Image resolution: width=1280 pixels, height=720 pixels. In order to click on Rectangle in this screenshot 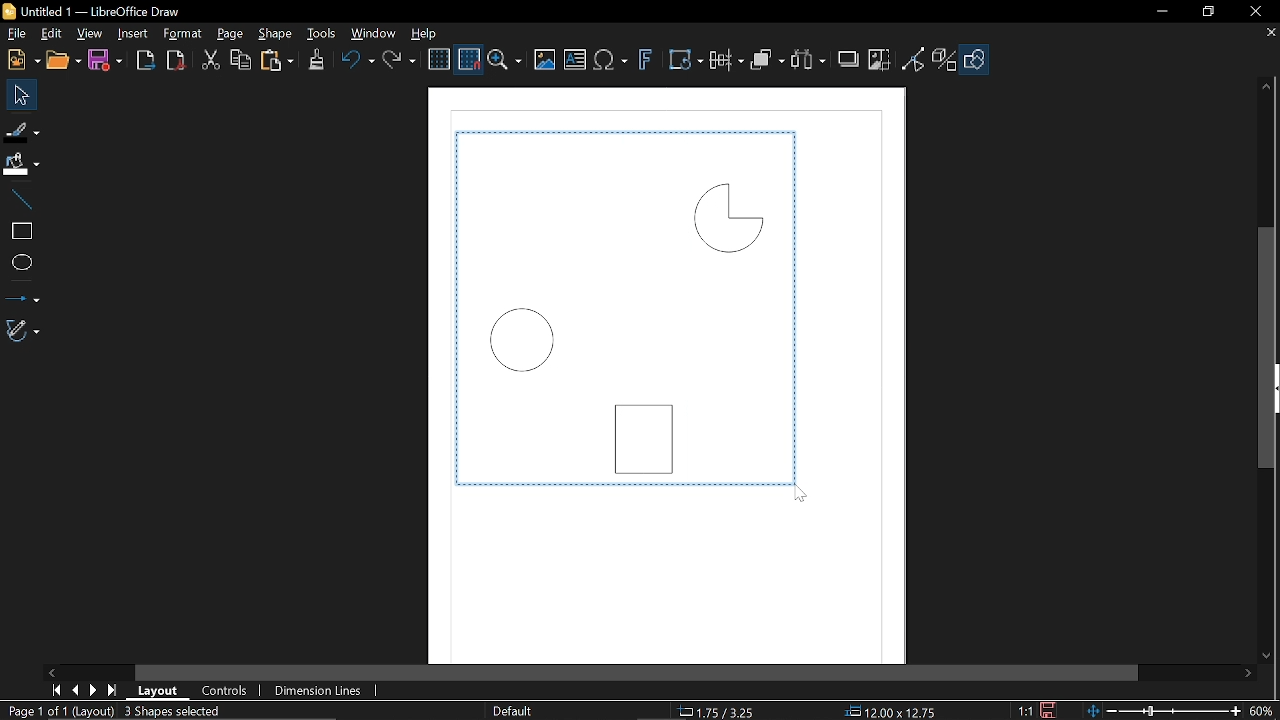, I will do `click(648, 433)`.